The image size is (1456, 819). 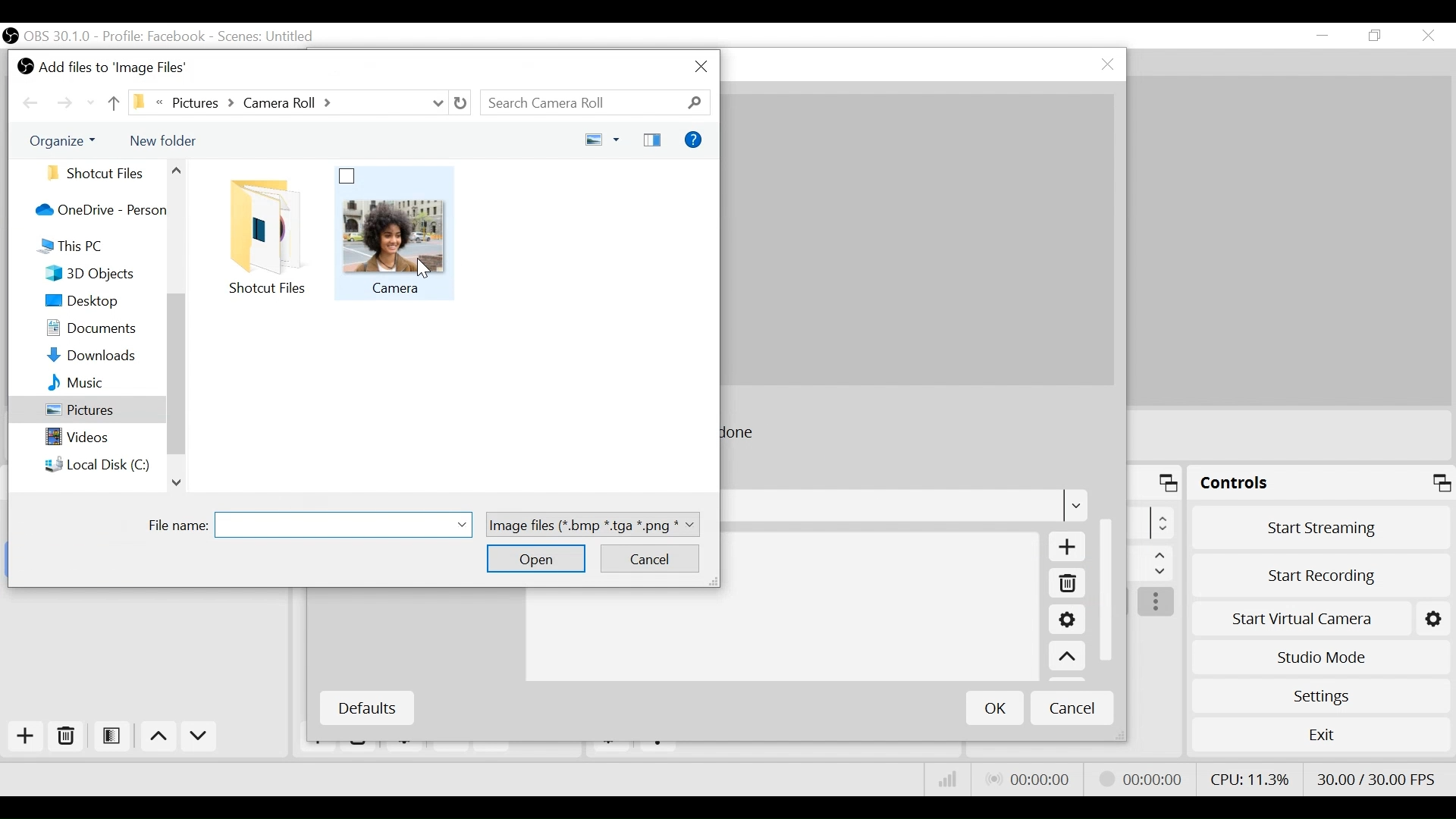 I want to click on Close, so click(x=699, y=65).